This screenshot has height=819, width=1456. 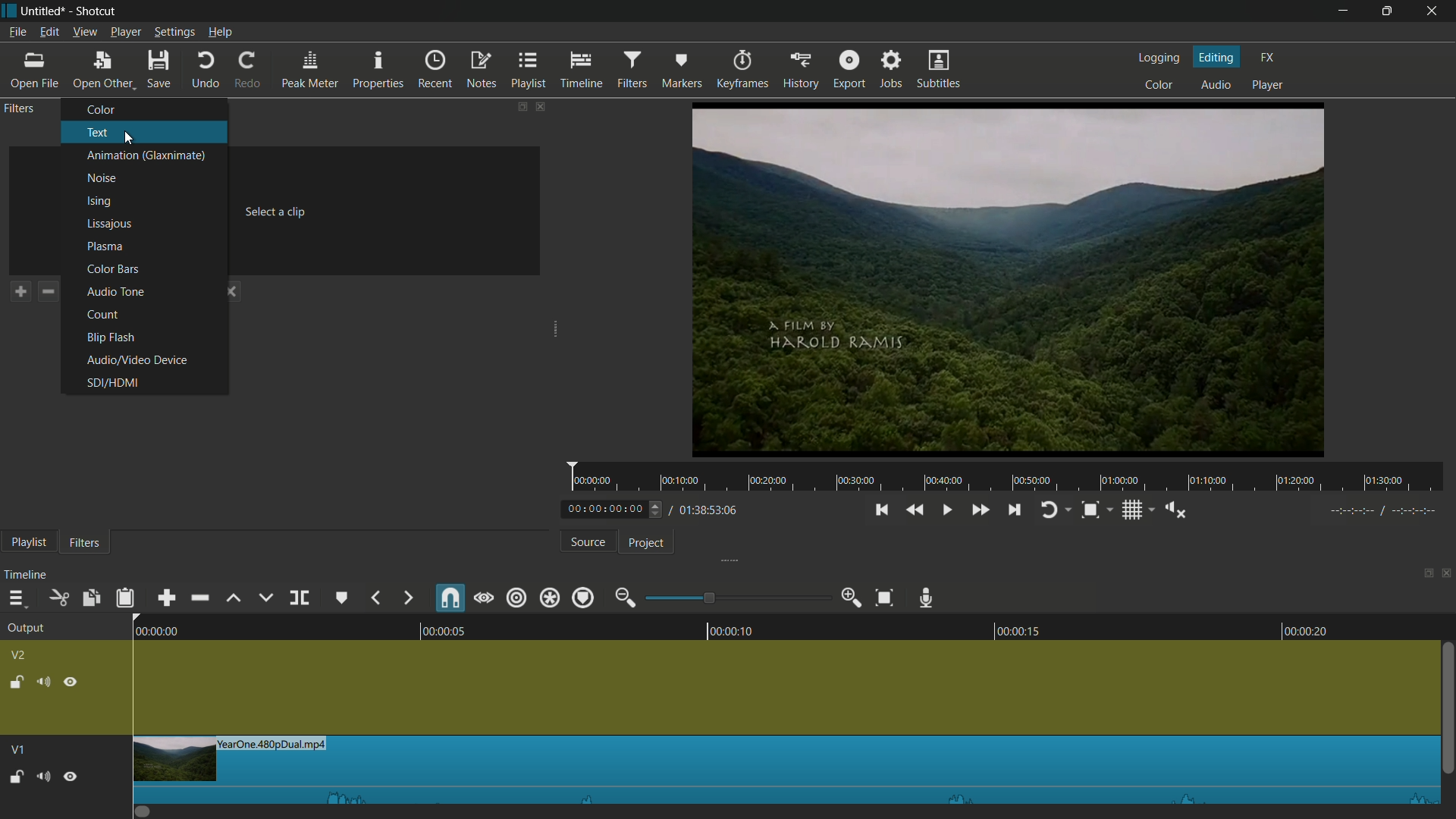 I want to click on 00:00:15, so click(x=1010, y=628).